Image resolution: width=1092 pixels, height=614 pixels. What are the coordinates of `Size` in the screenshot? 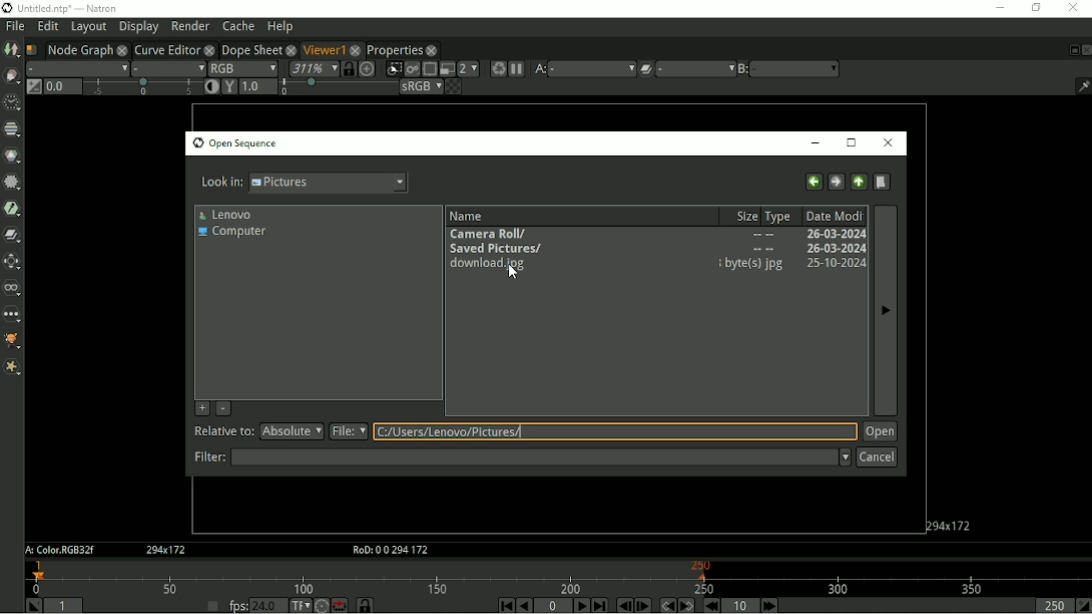 It's located at (743, 216).